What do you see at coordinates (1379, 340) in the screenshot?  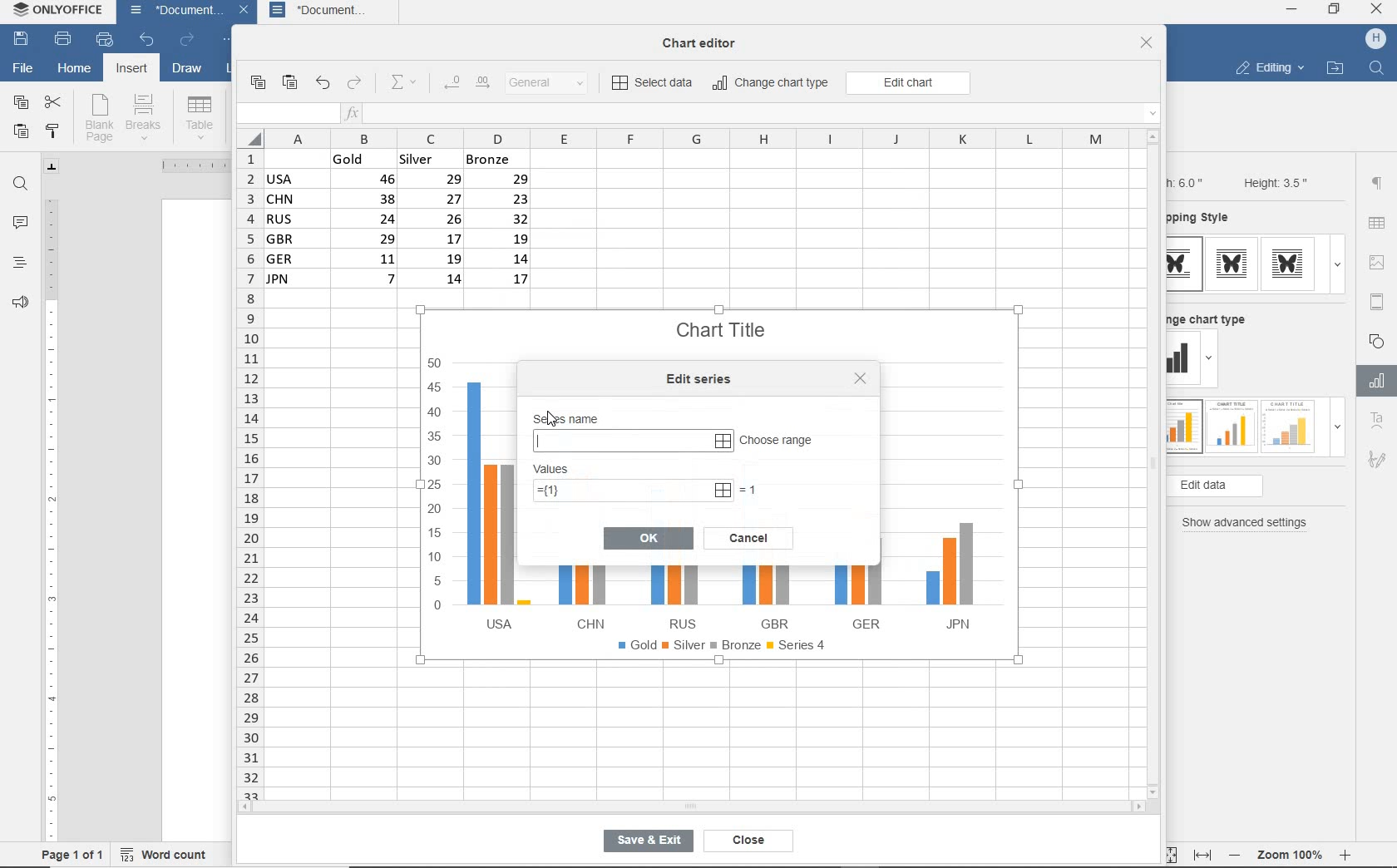 I see `shape` at bounding box center [1379, 340].